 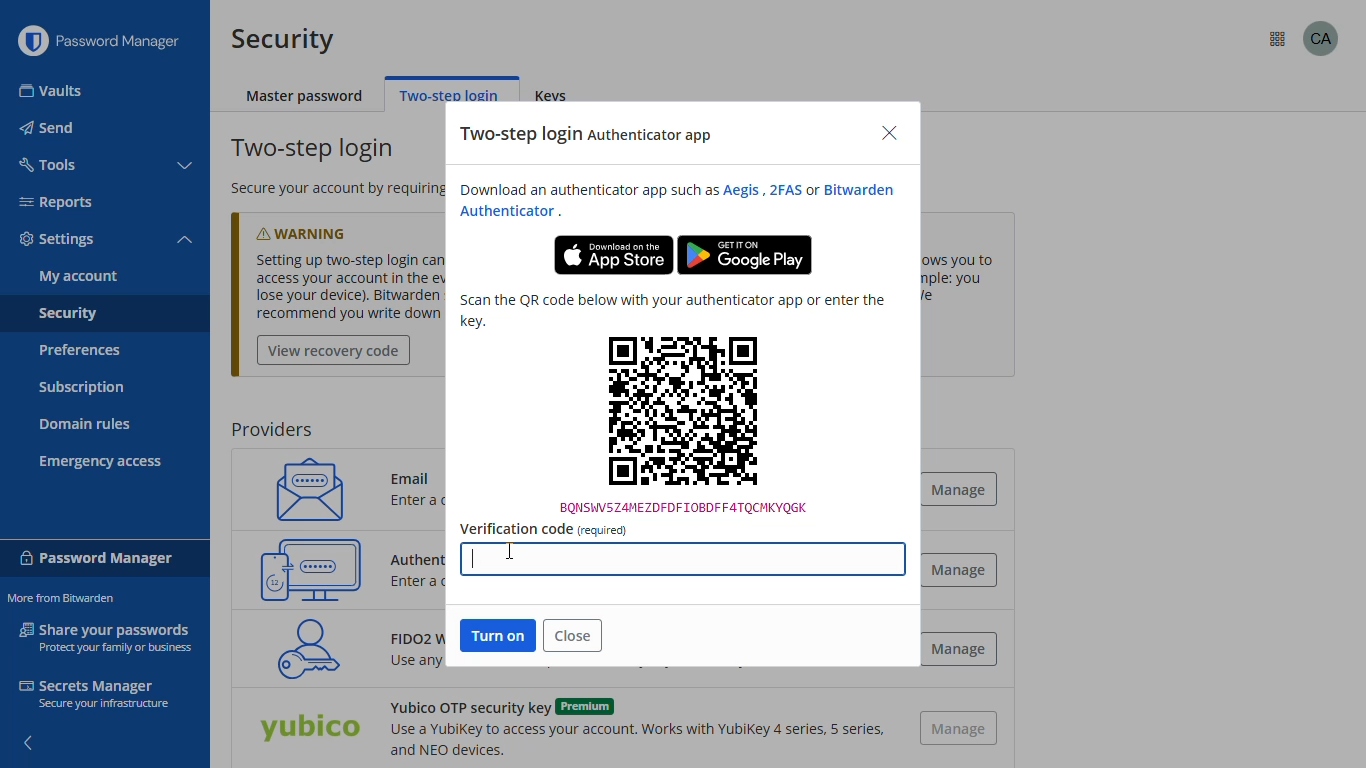 I want to click on security, so click(x=67, y=315).